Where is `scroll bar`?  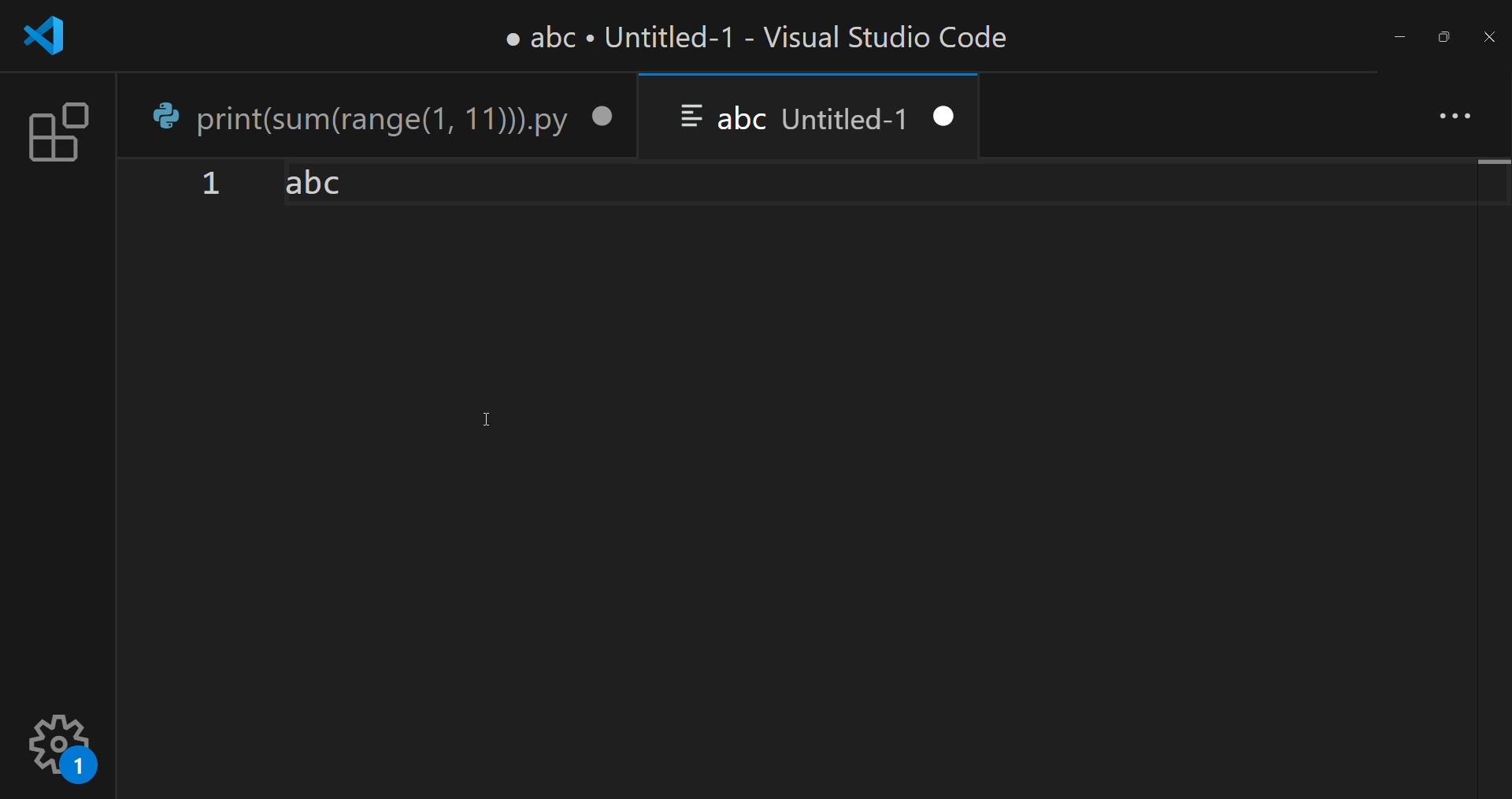 scroll bar is located at coordinates (1486, 455).